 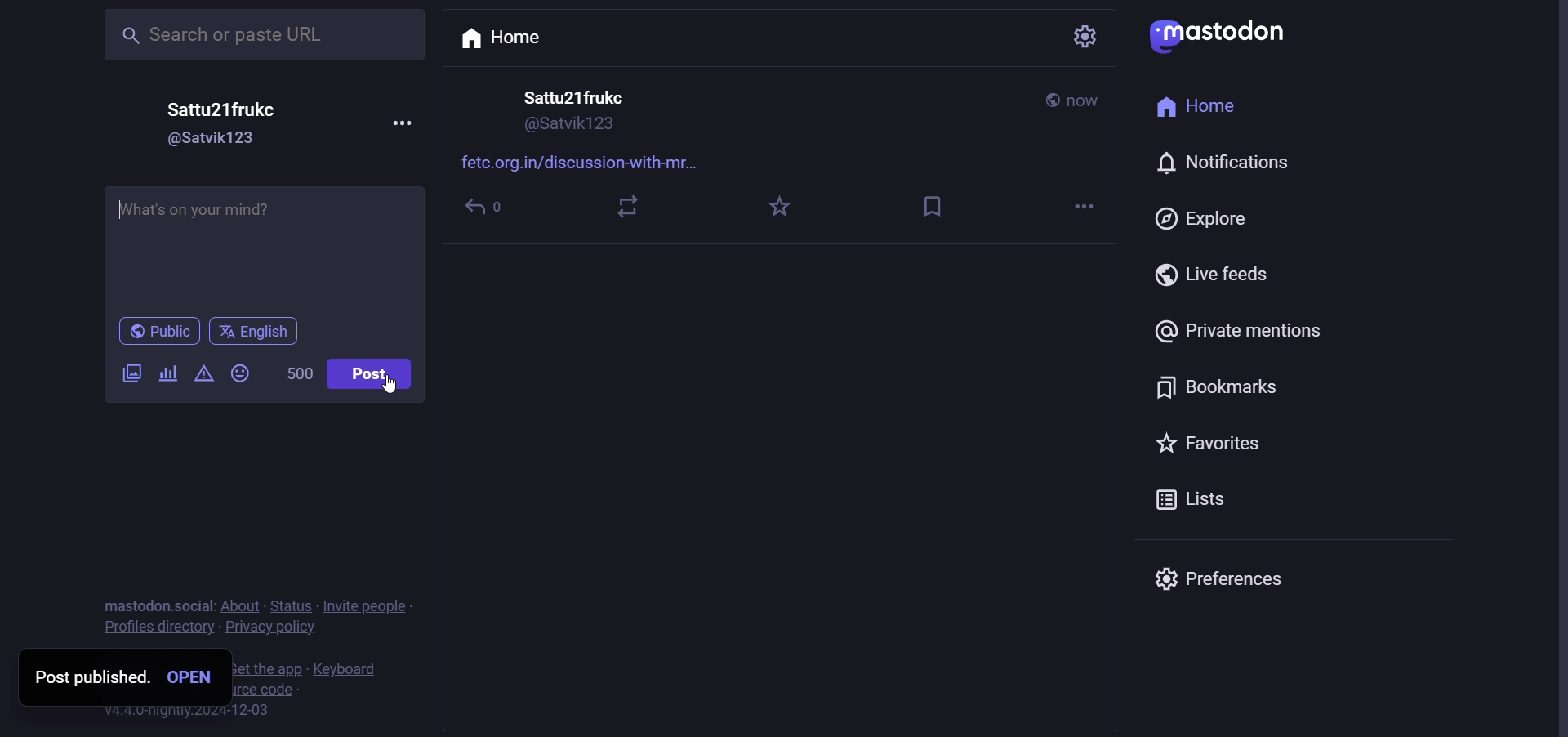 I want to click on post, so click(x=372, y=375).